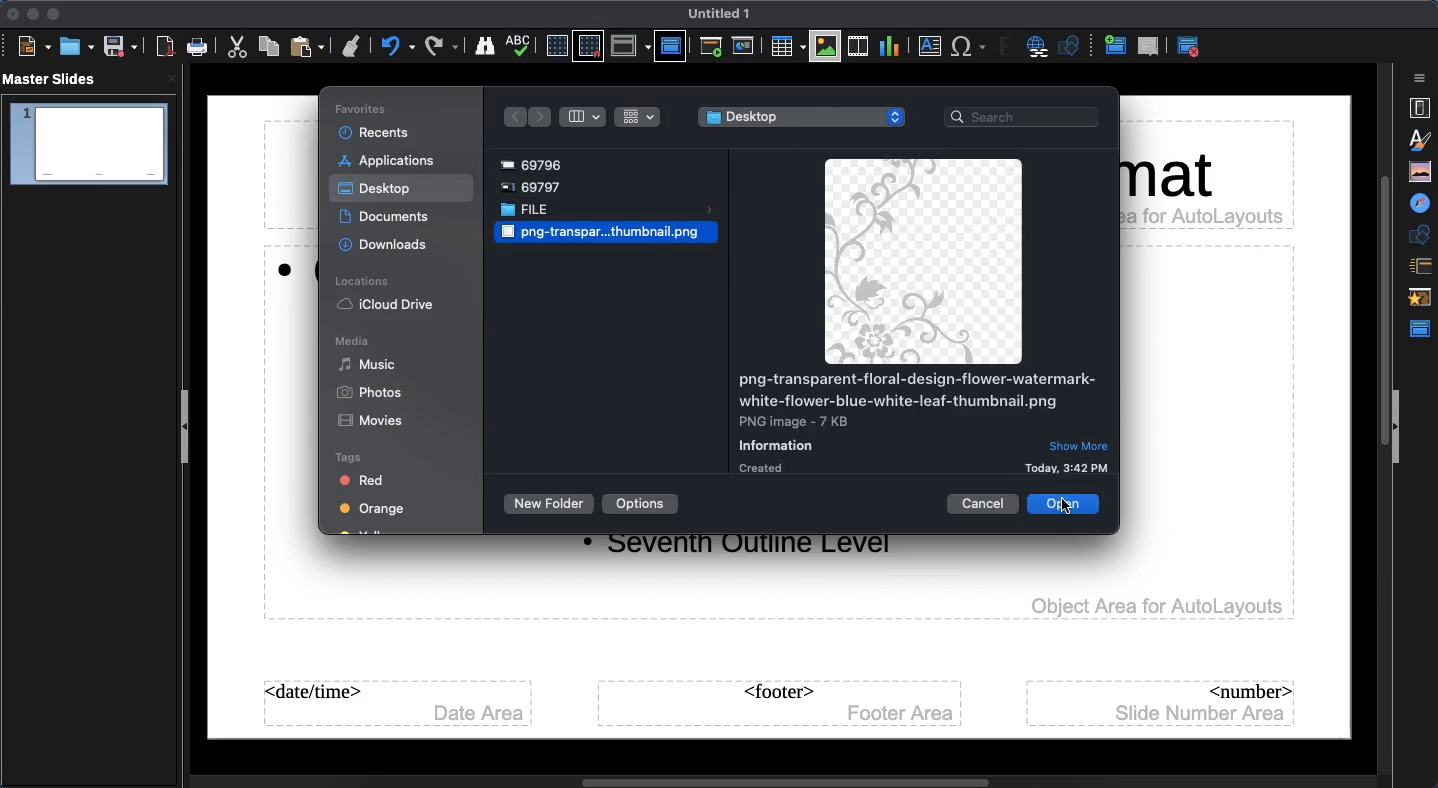  Describe the element at coordinates (720, 14) in the screenshot. I see `Untitled` at that location.